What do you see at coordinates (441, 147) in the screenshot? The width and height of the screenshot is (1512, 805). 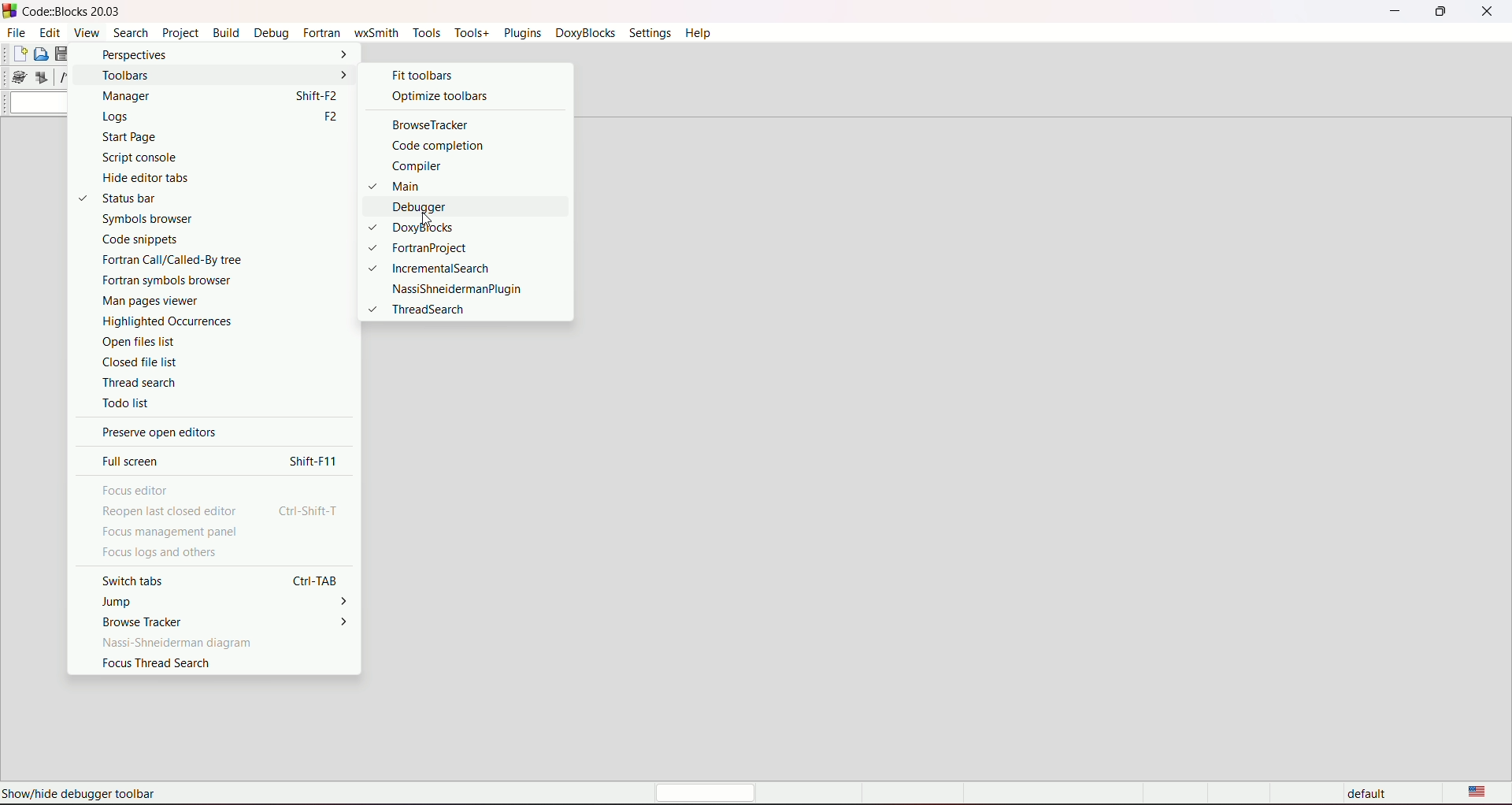 I see `code completion` at bounding box center [441, 147].